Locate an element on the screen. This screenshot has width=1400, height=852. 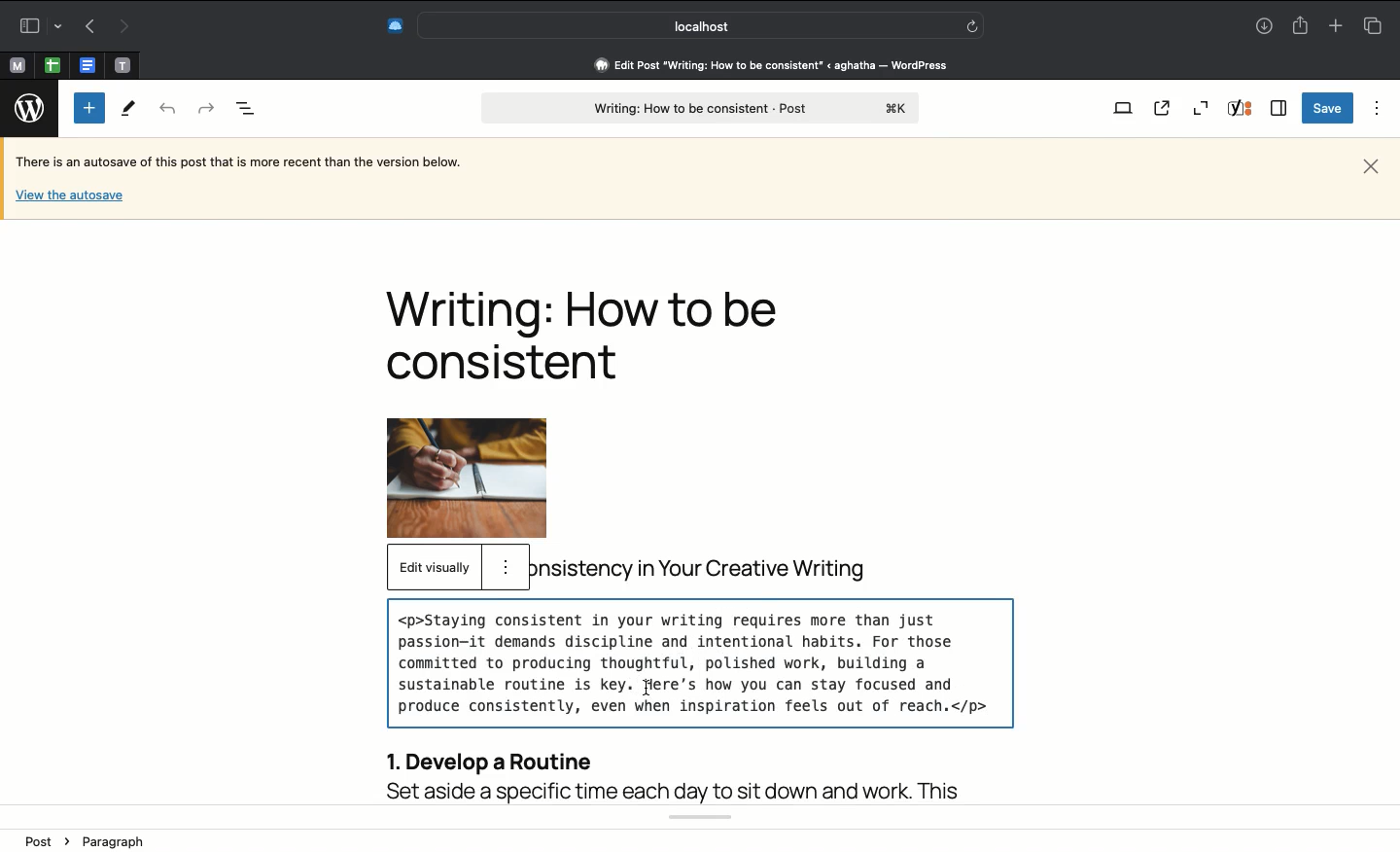
Image is located at coordinates (490, 478).